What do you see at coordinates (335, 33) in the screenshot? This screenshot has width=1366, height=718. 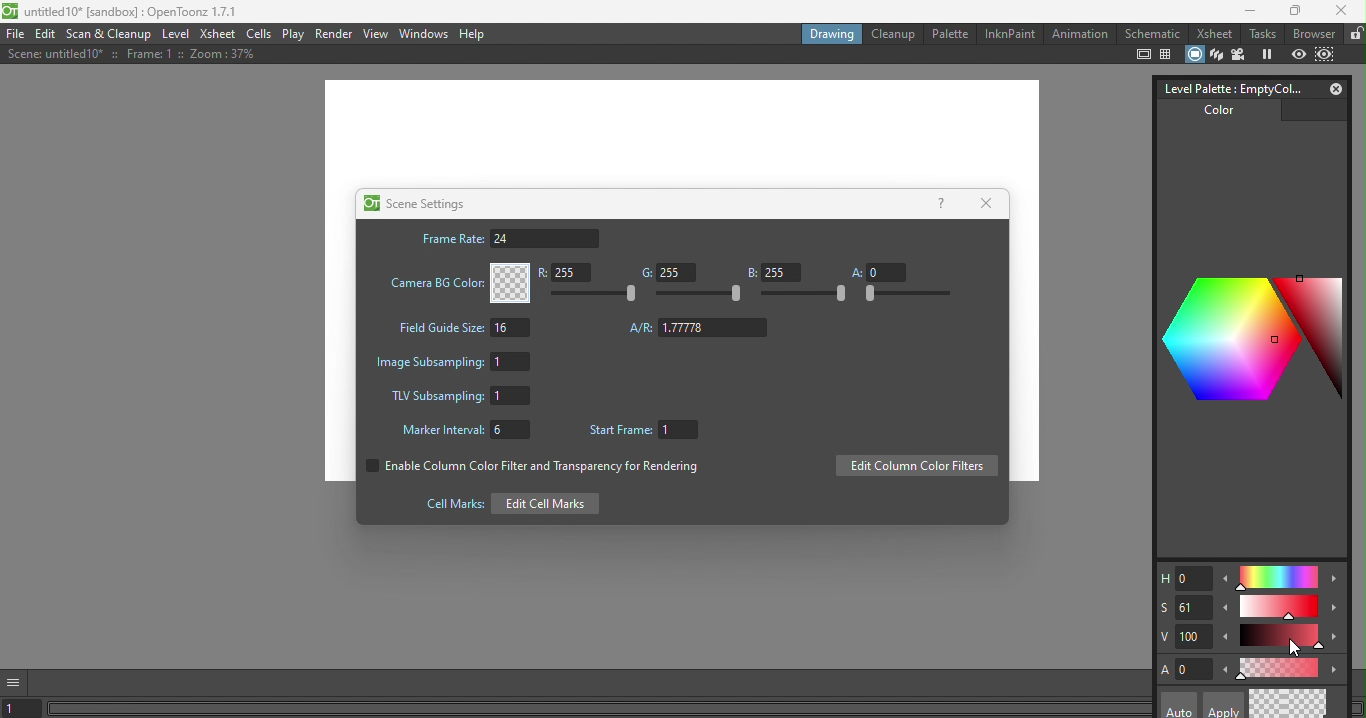 I see `Render` at bounding box center [335, 33].